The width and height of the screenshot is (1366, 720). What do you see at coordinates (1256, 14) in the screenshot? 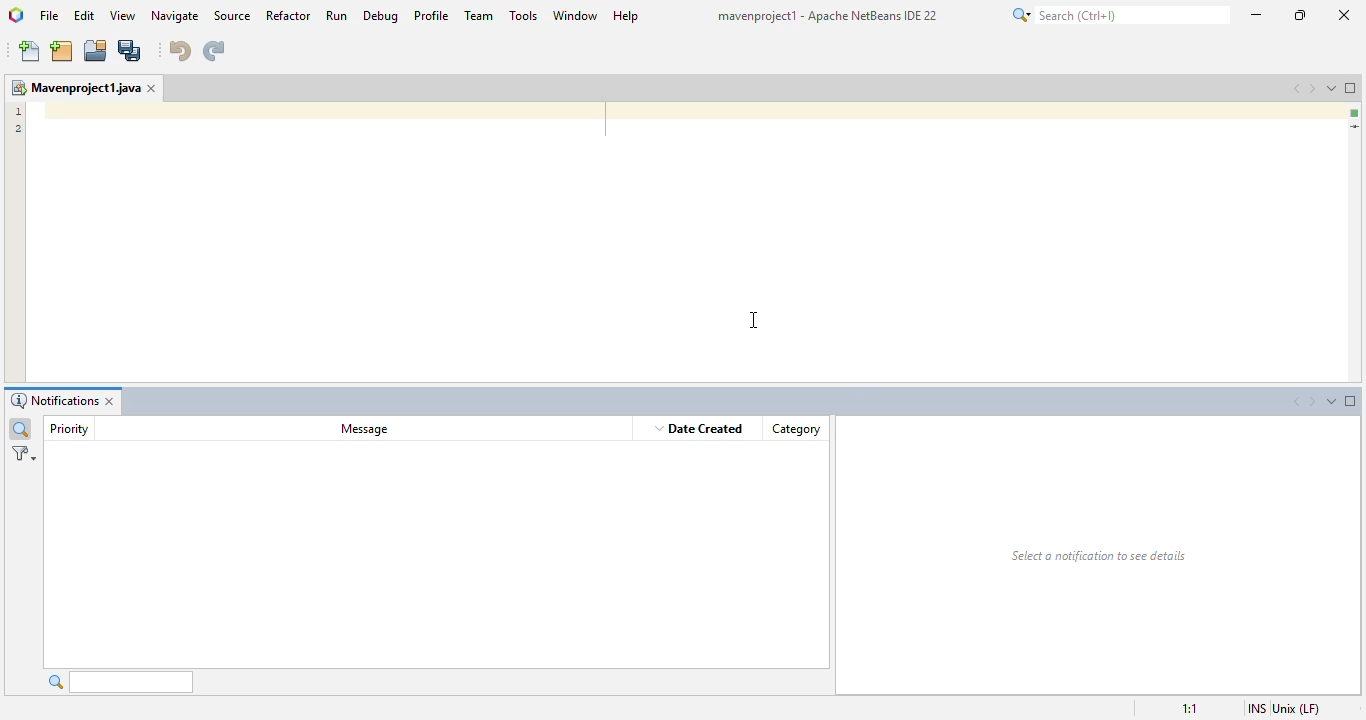
I see `minimize` at bounding box center [1256, 14].